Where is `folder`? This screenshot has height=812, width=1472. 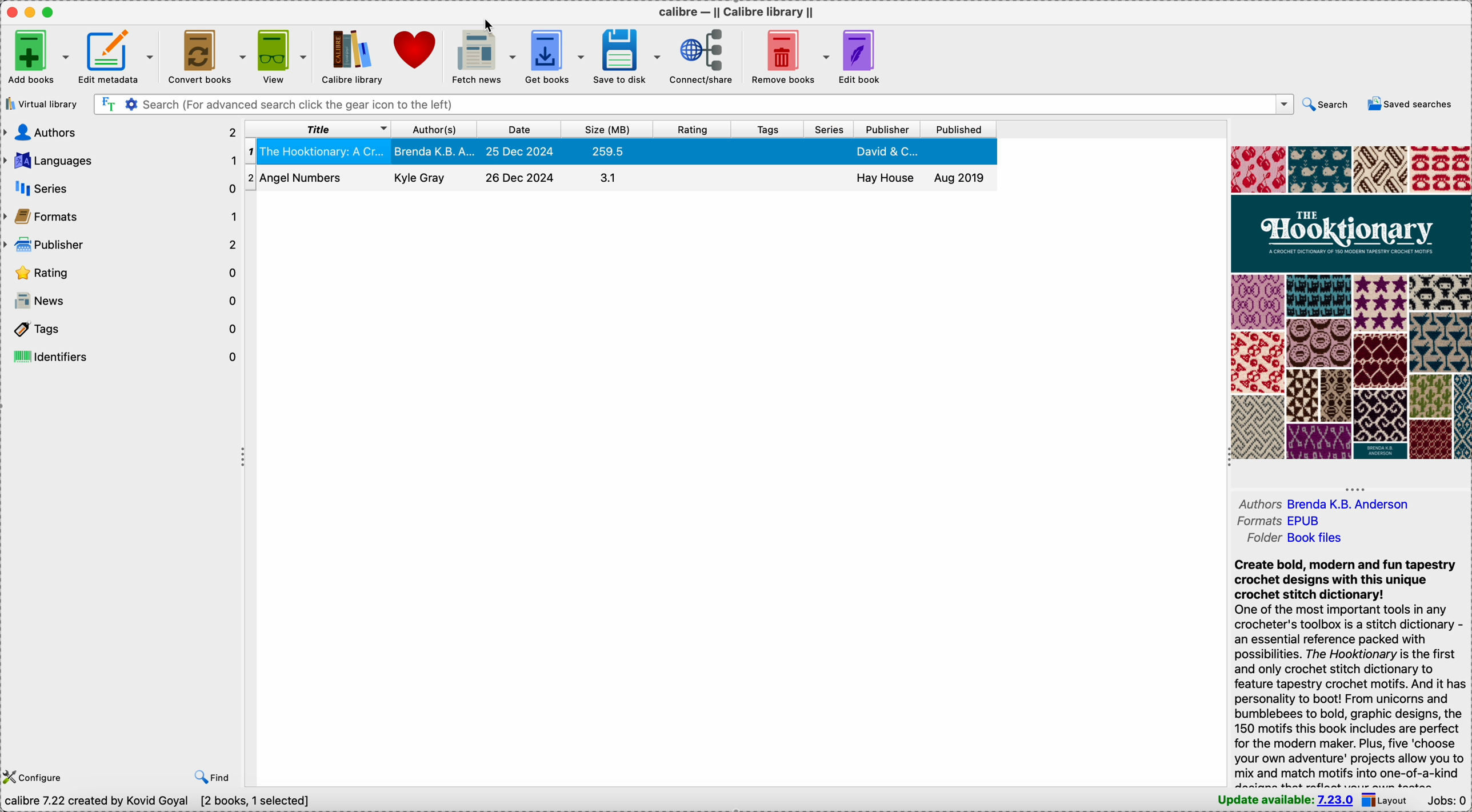 folder is located at coordinates (1292, 538).